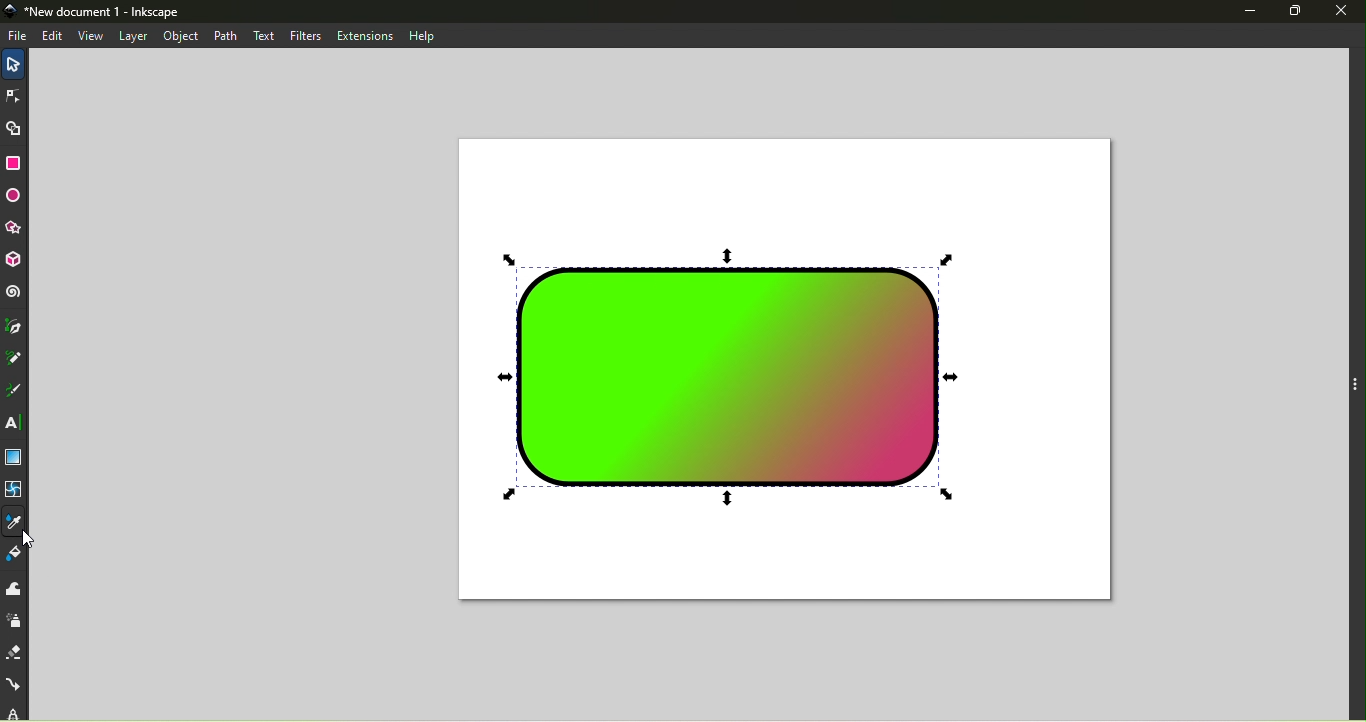 This screenshot has width=1366, height=722. What do you see at coordinates (54, 35) in the screenshot?
I see `edit` at bounding box center [54, 35].